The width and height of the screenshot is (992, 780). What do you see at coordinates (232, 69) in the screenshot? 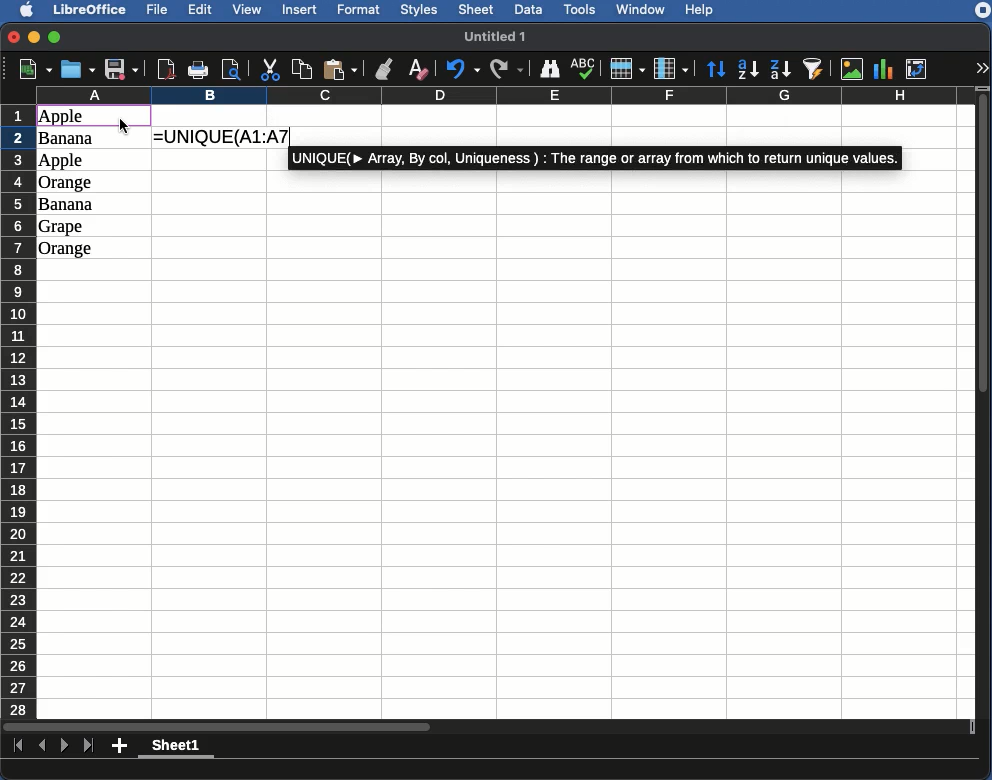
I see `Print preview` at bounding box center [232, 69].